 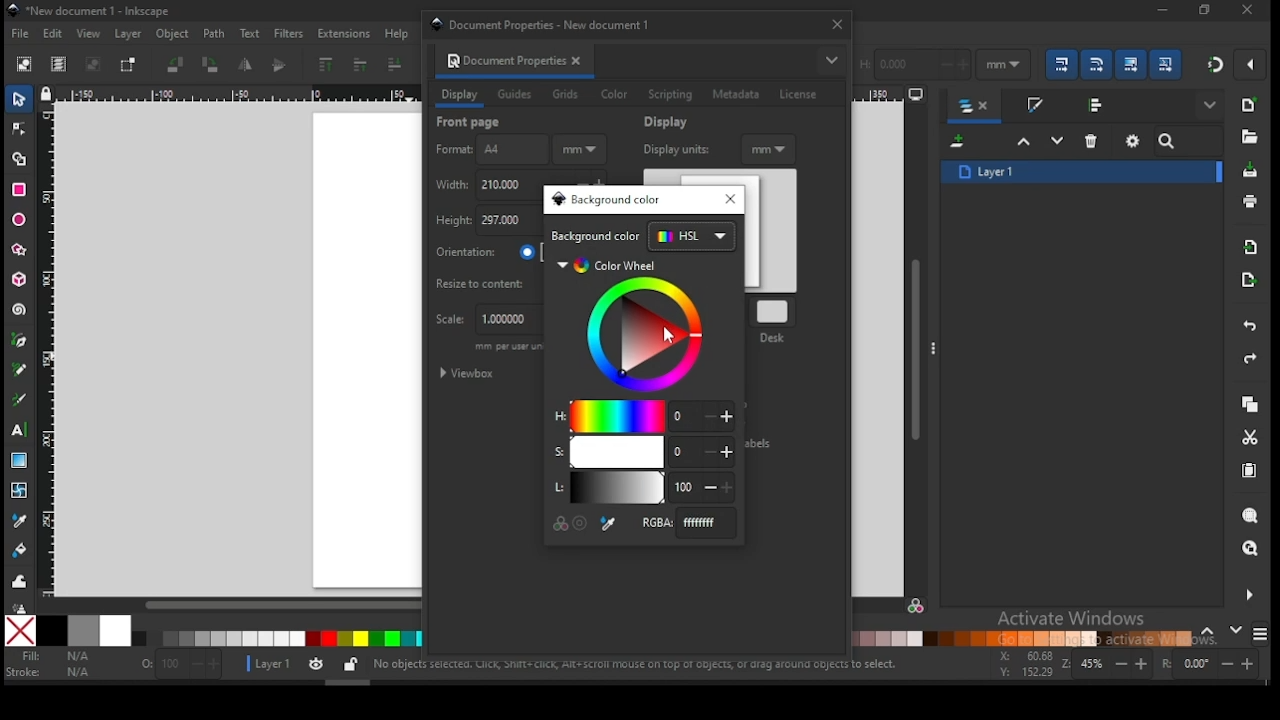 What do you see at coordinates (687, 522) in the screenshot?
I see `rgba` at bounding box center [687, 522].